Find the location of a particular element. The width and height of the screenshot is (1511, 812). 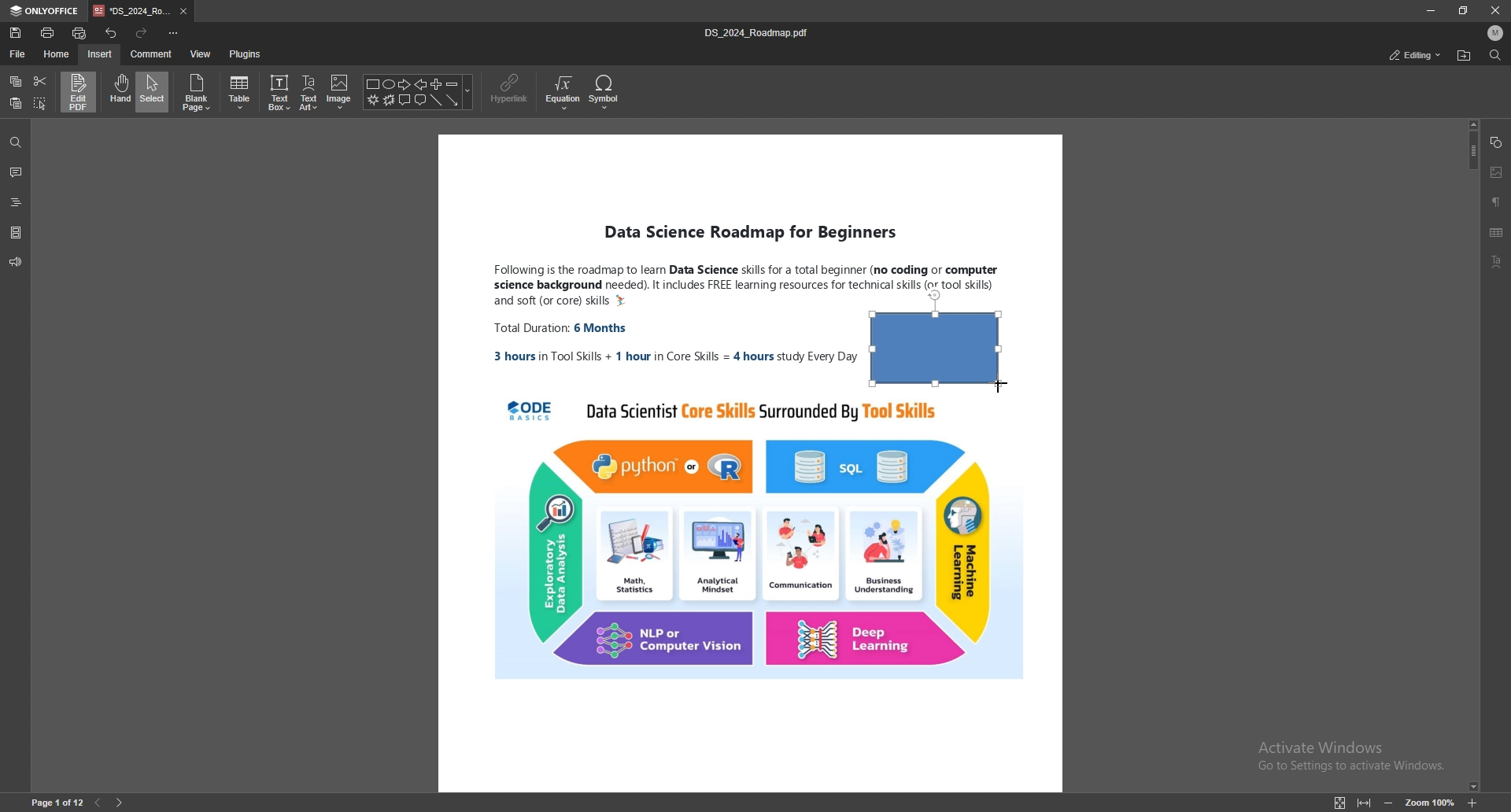

pdf is located at coordinates (840, 337).